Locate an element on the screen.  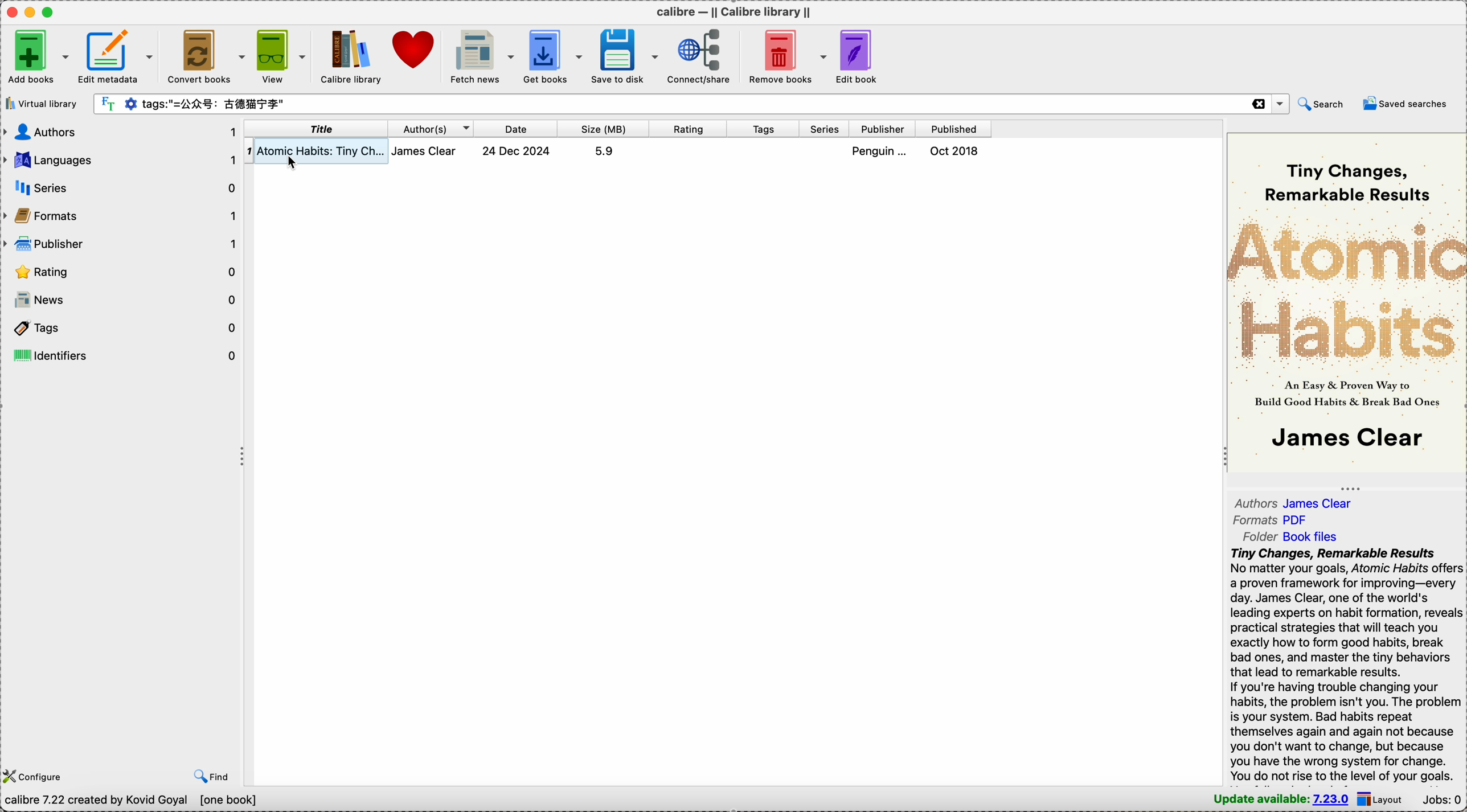
search is located at coordinates (1321, 104).